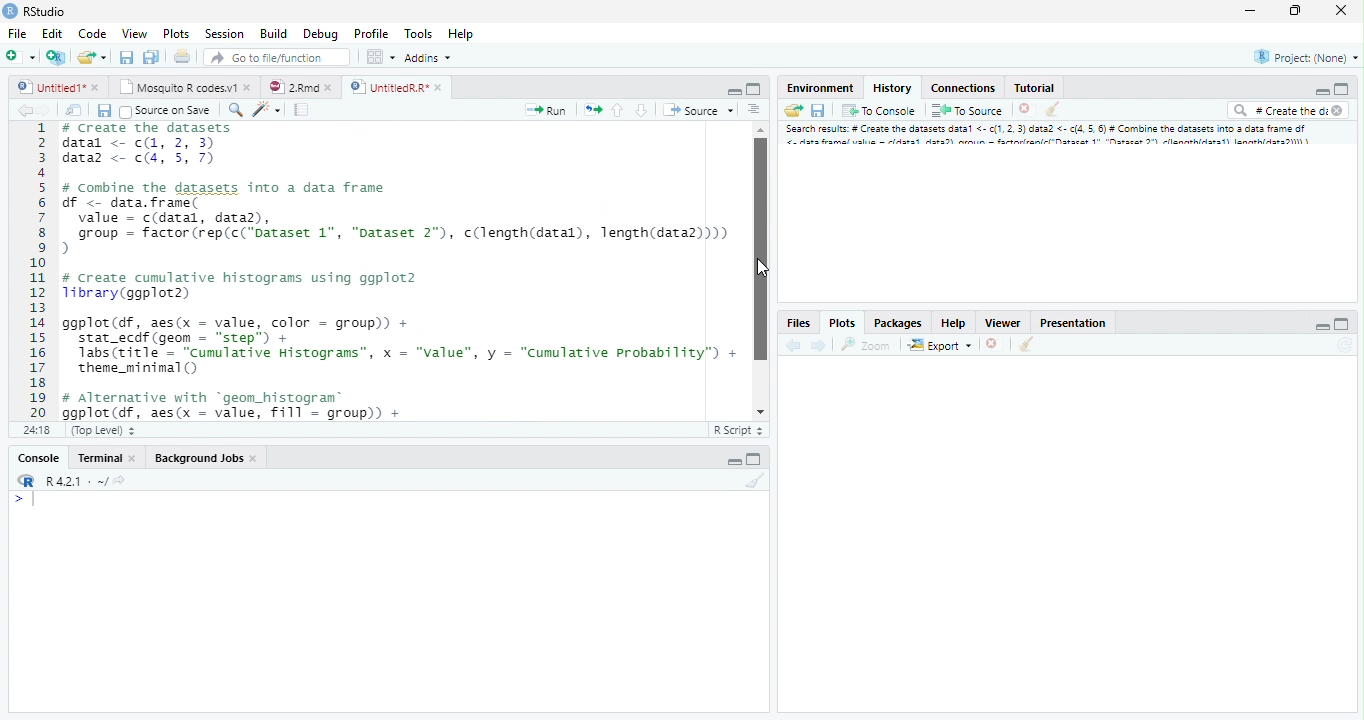  Describe the element at coordinates (408, 92) in the screenshot. I see `Cursor` at that location.